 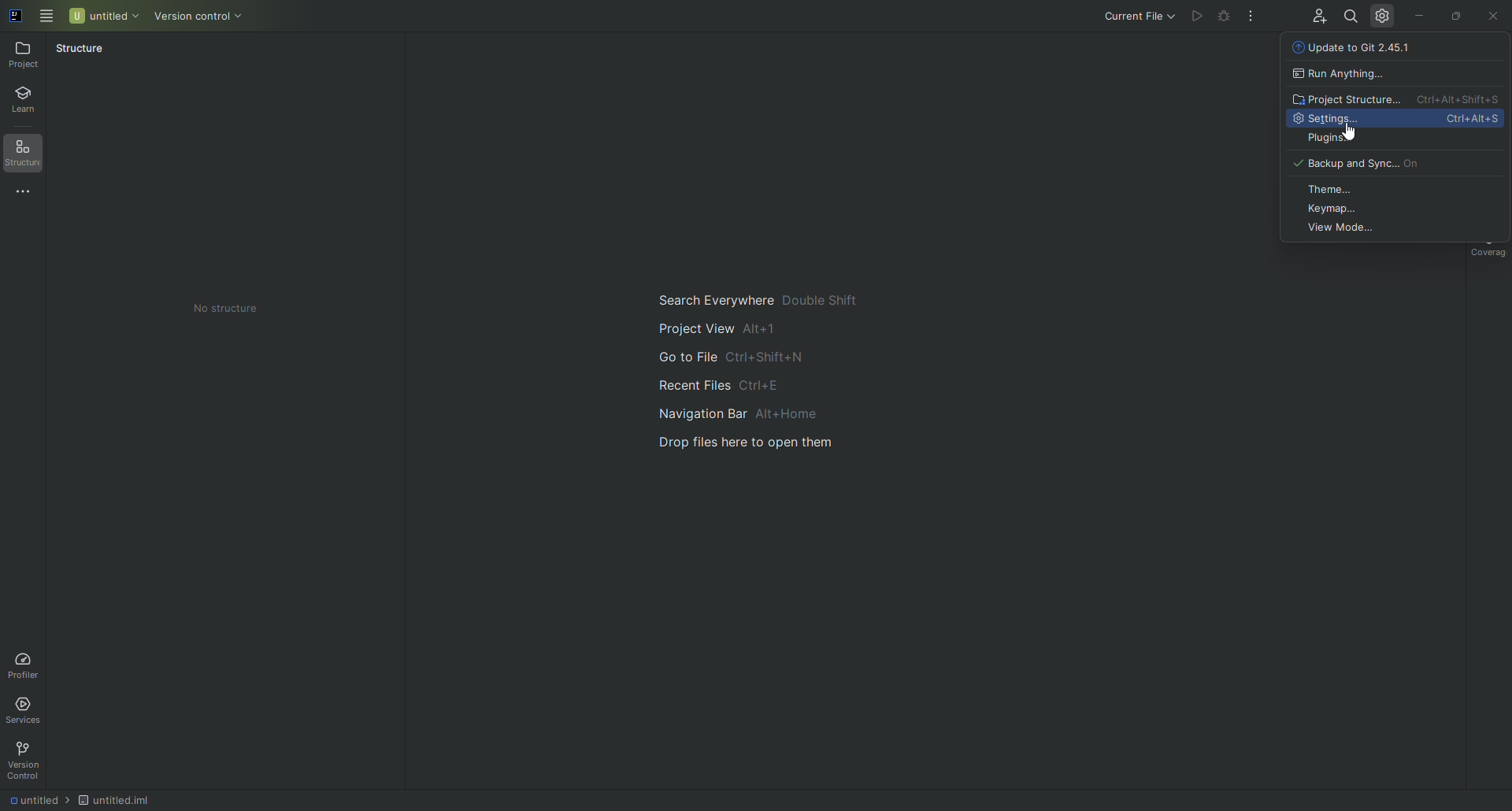 I want to click on Structure, so click(x=31, y=157).